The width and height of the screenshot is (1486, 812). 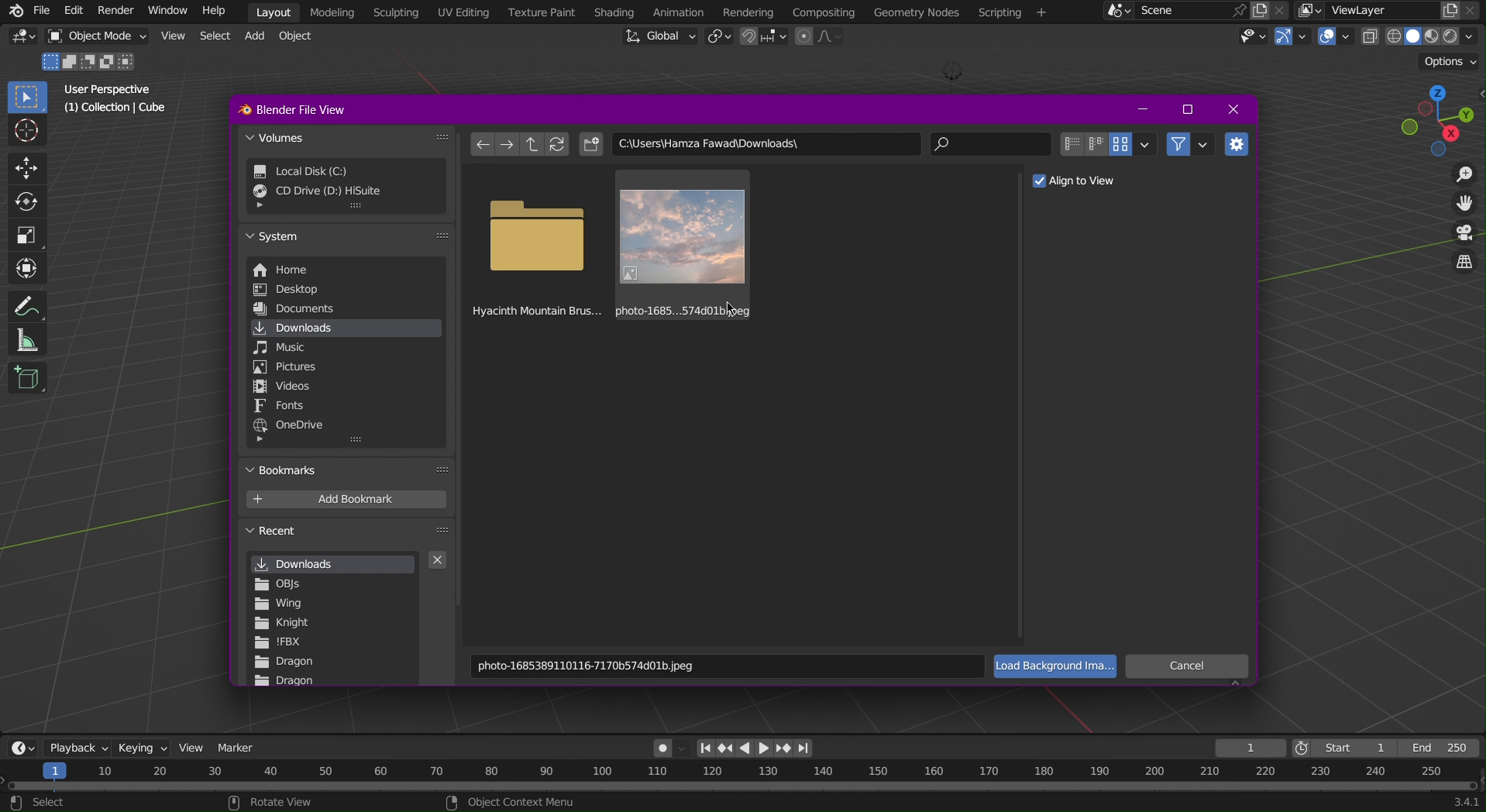 What do you see at coordinates (592, 146) in the screenshot?
I see `New Folder` at bounding box center [592, 146].